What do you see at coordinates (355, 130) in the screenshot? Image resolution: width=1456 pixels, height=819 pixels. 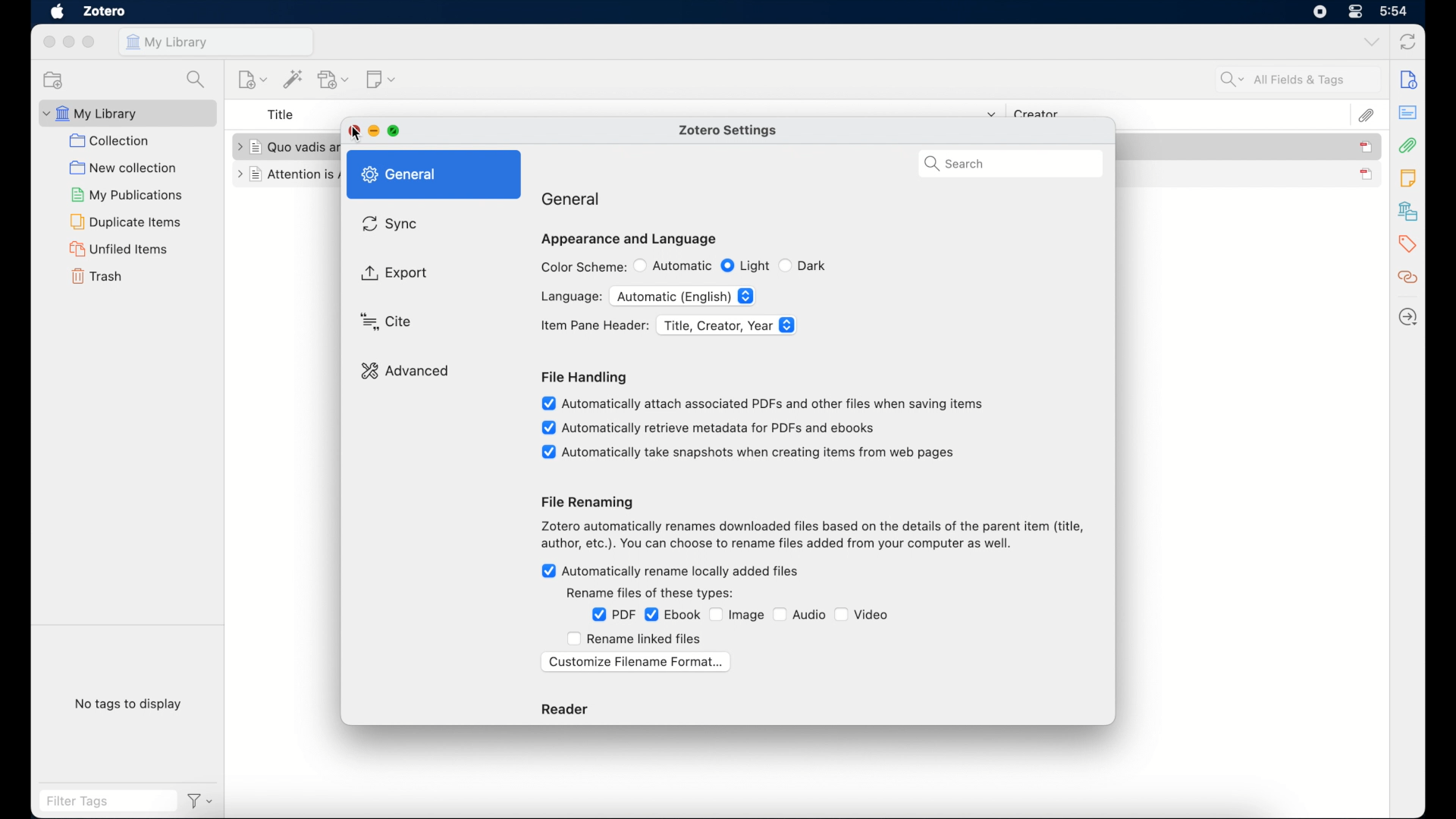 I see `close` at bounding box center [355, 130].